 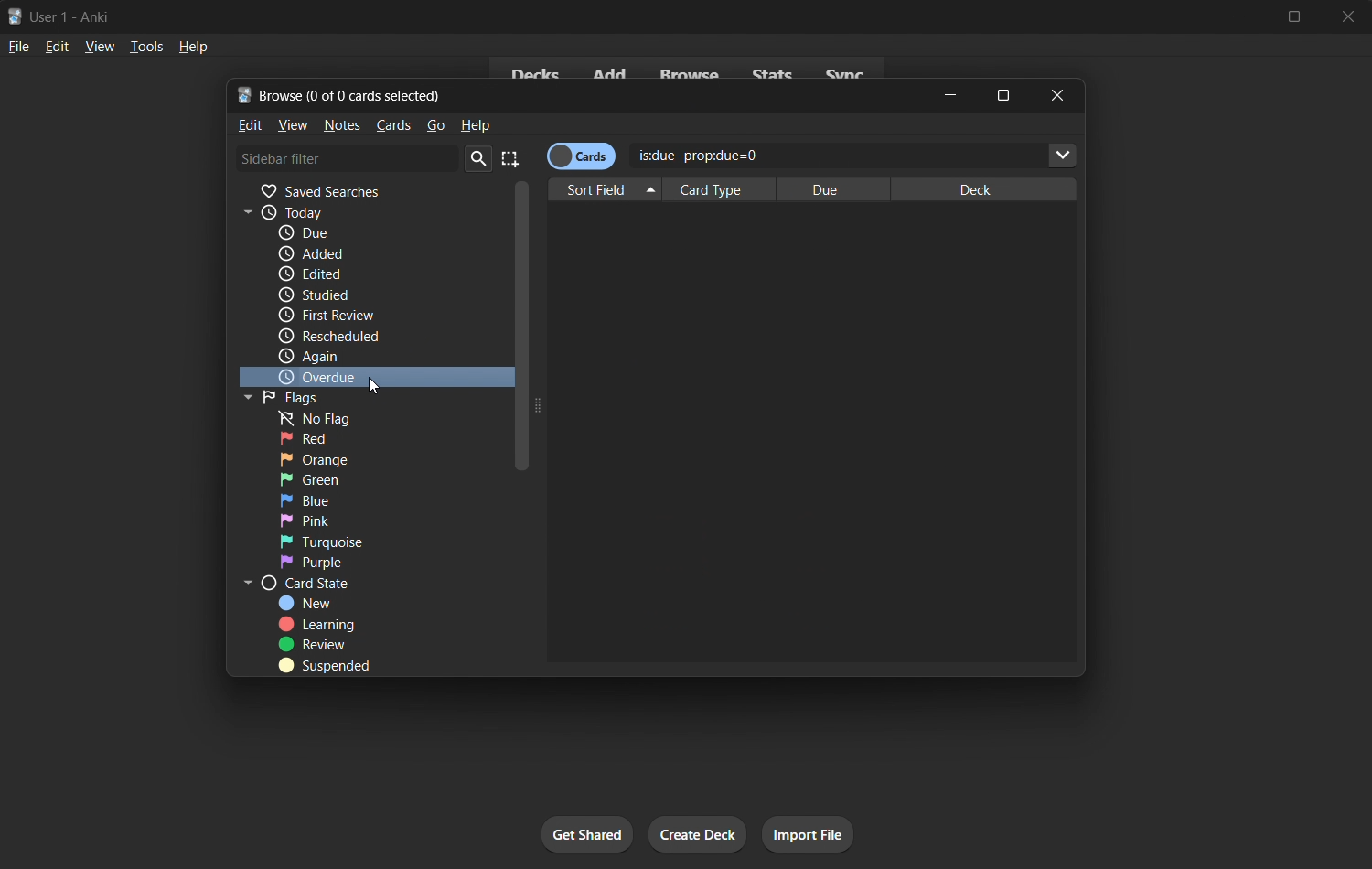 What do you see at coordinates (341, 479) in the screenshot?
I see `green` at bounding box center [341, 479].